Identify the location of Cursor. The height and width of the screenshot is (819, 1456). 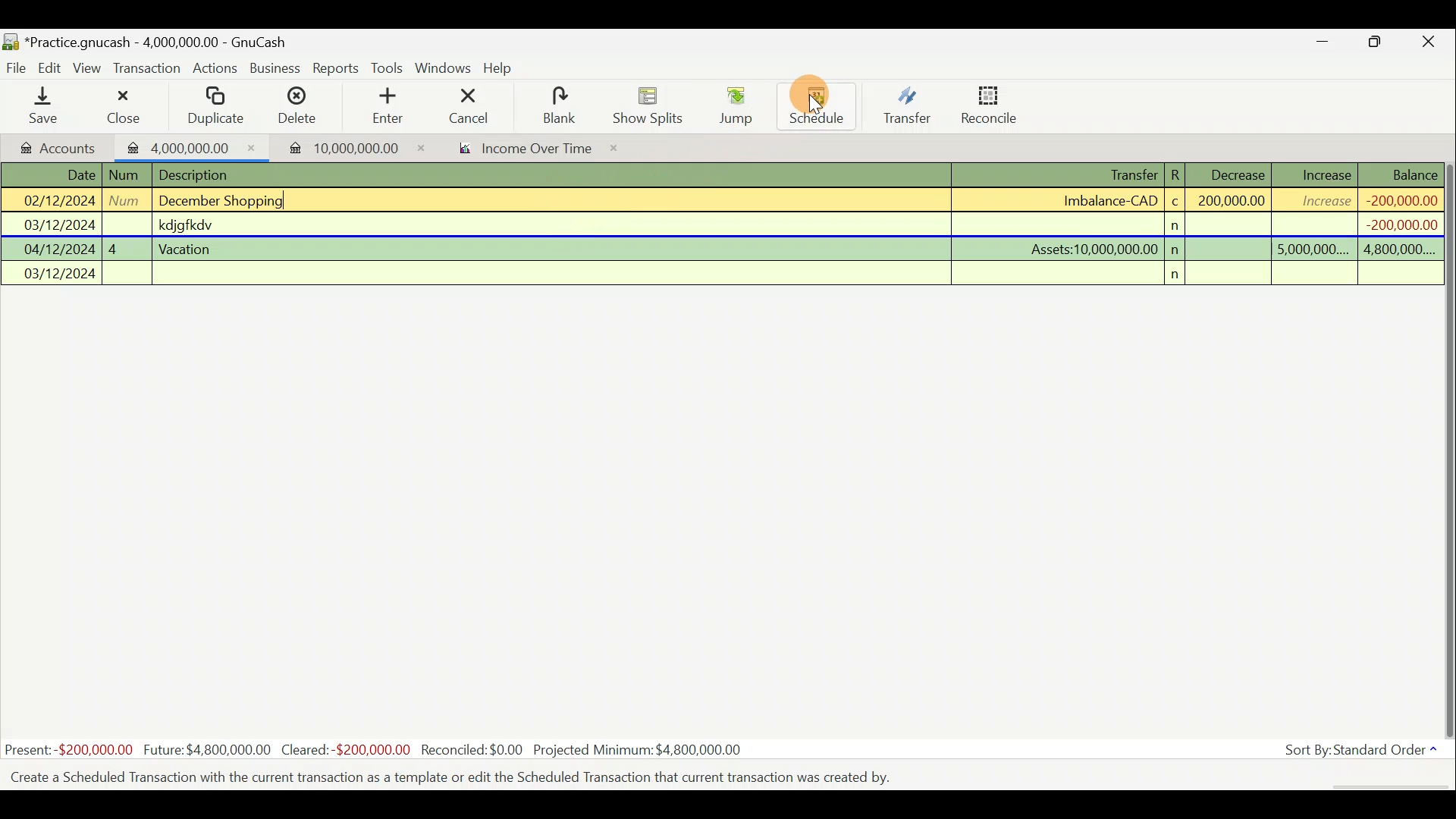
(815, 99).